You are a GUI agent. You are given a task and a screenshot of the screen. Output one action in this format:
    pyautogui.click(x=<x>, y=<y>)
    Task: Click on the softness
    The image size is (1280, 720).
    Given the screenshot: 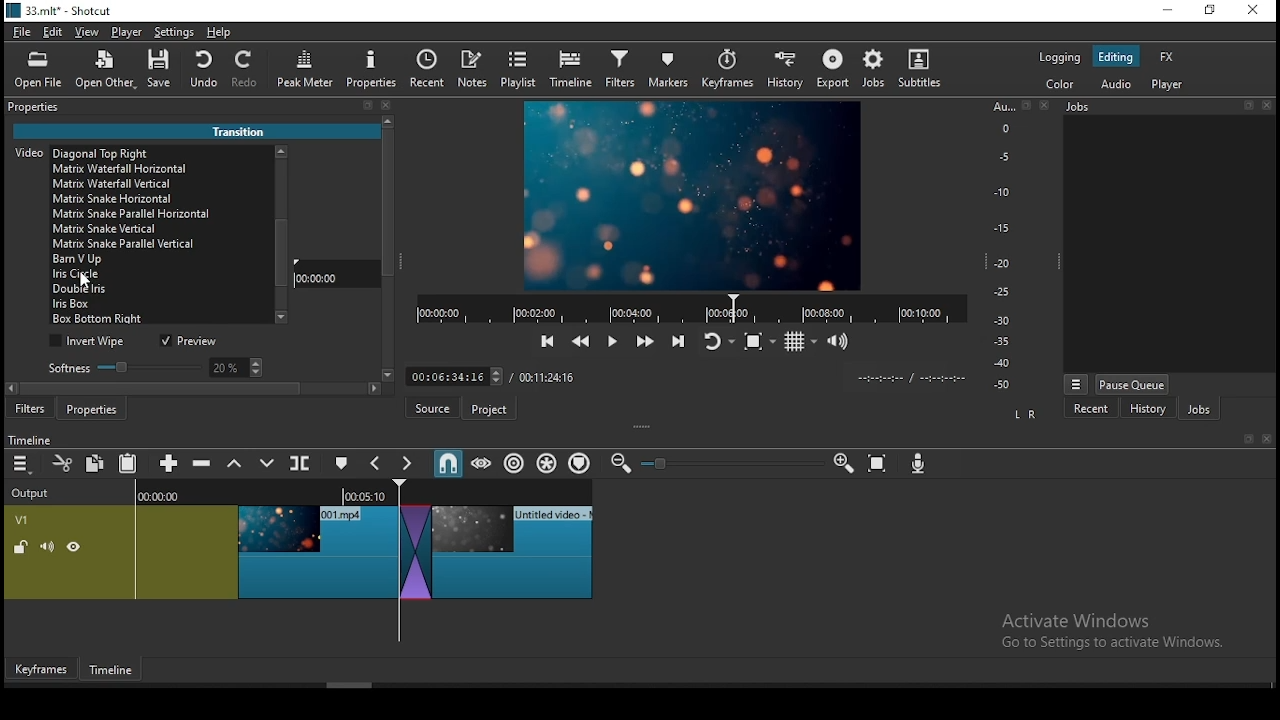 What is the action you would take?
    pyautogui.click(x=152, y=367)
    